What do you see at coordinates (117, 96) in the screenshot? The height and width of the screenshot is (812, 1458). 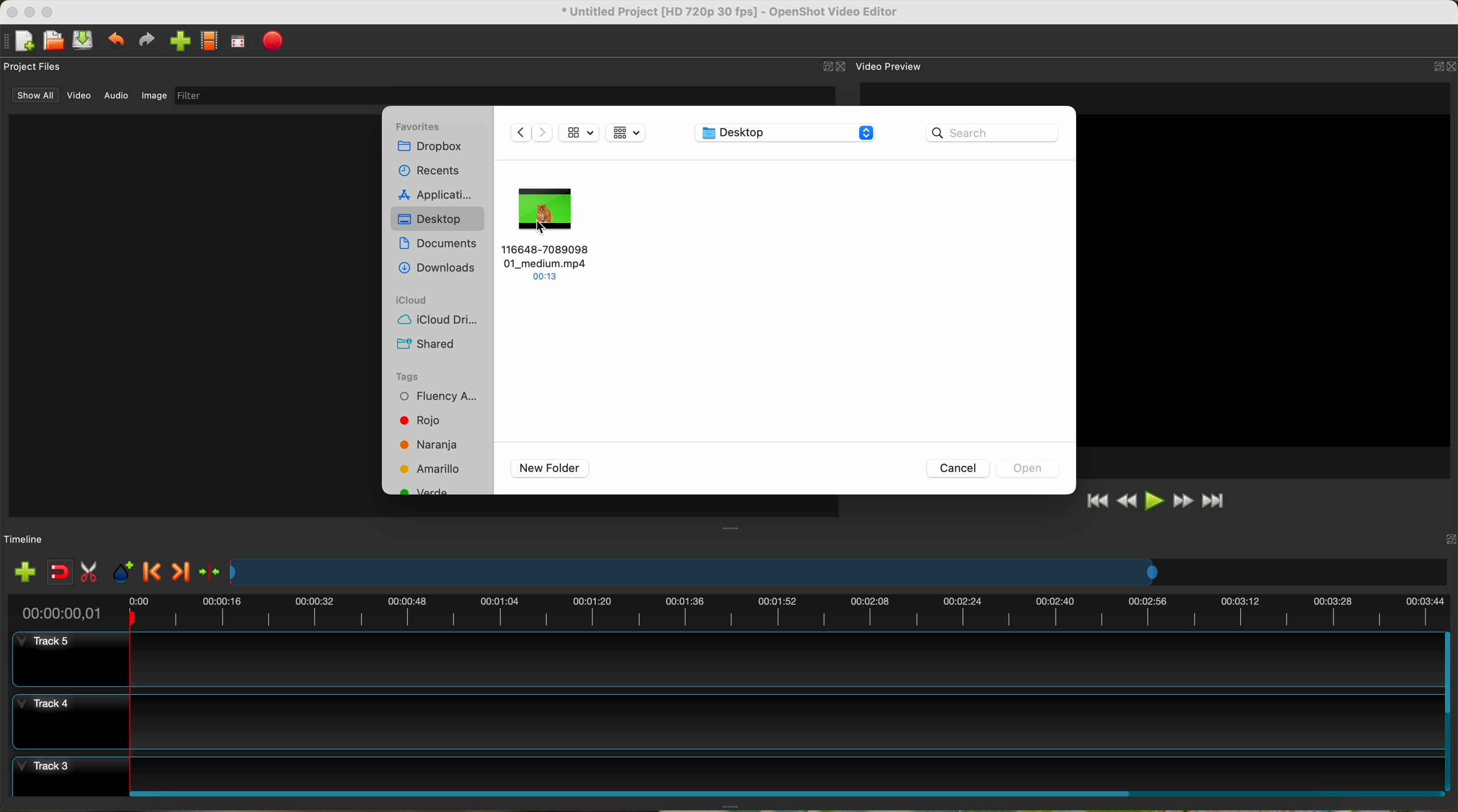 I see `audio` at bounding box center [117, 96].